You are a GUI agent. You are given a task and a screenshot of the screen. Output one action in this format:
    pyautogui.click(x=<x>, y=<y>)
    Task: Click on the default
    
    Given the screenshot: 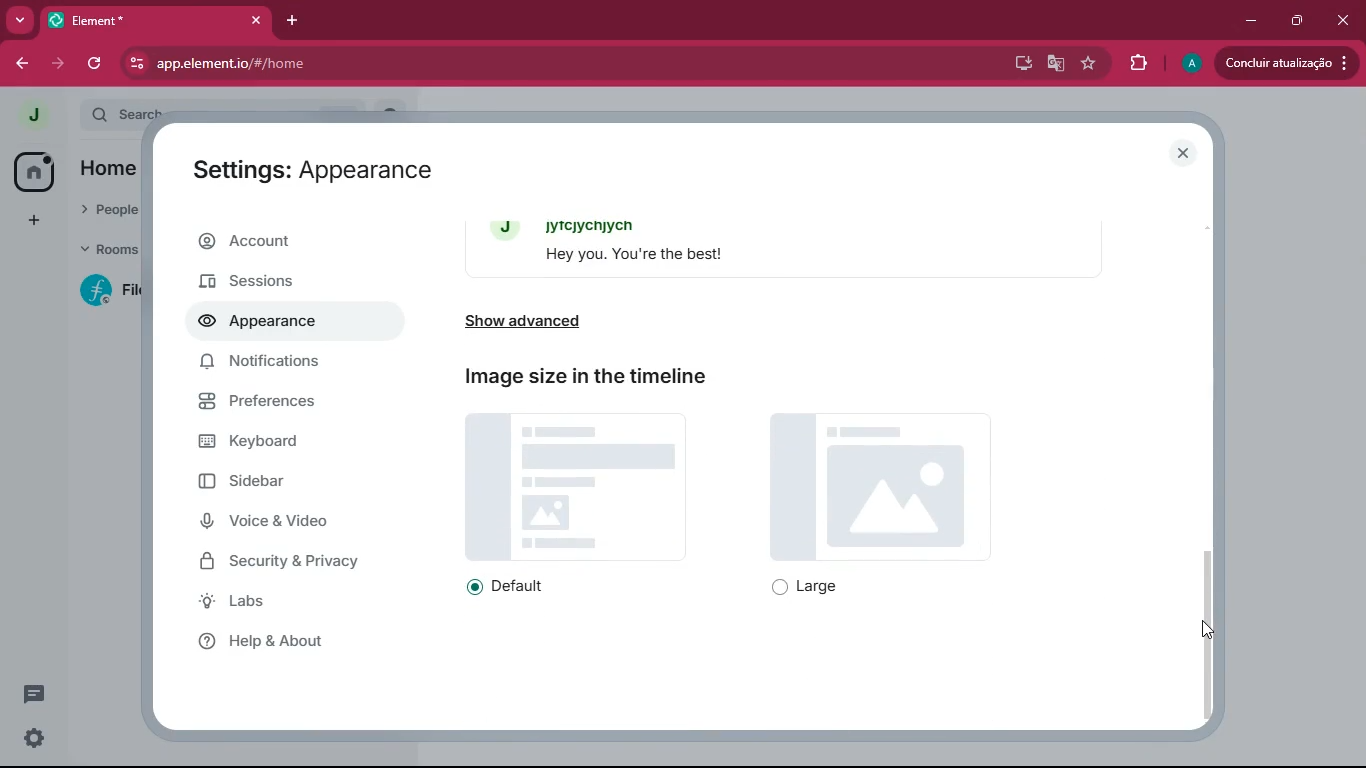 What is the action you would take?
    pyautogui.click(x=517, y=587)
    